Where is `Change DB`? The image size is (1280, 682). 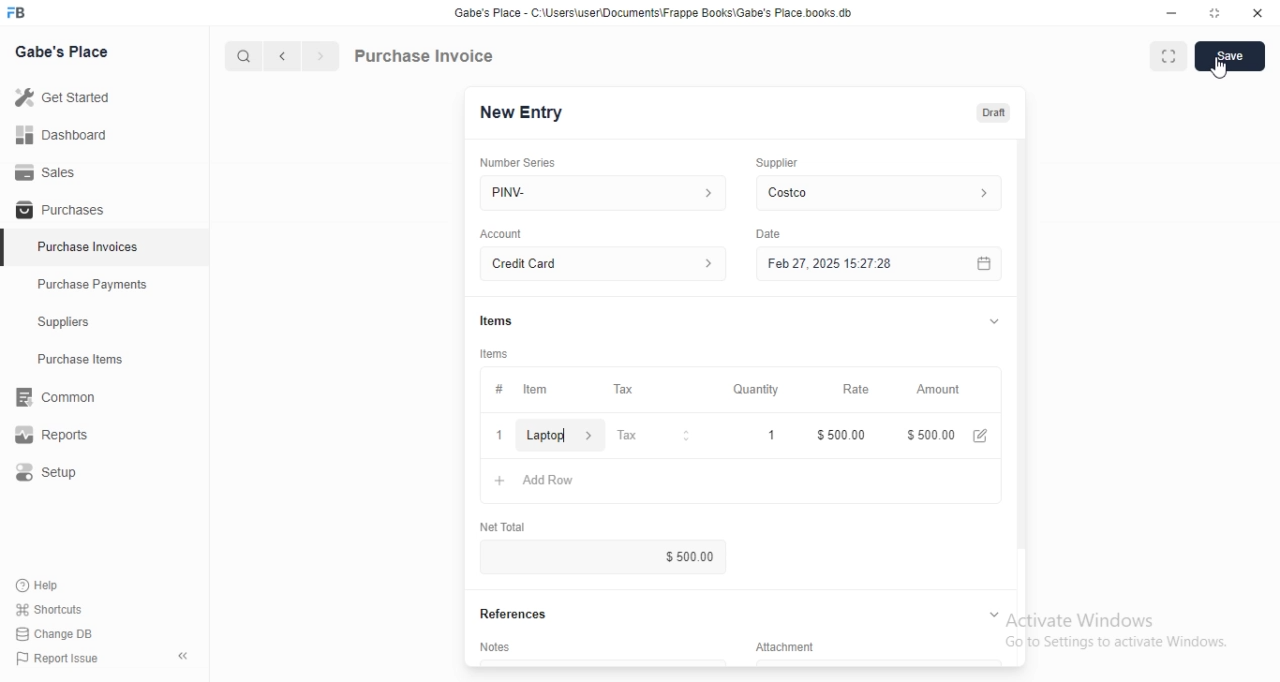
Change DB is located at coordinates (54, 634).